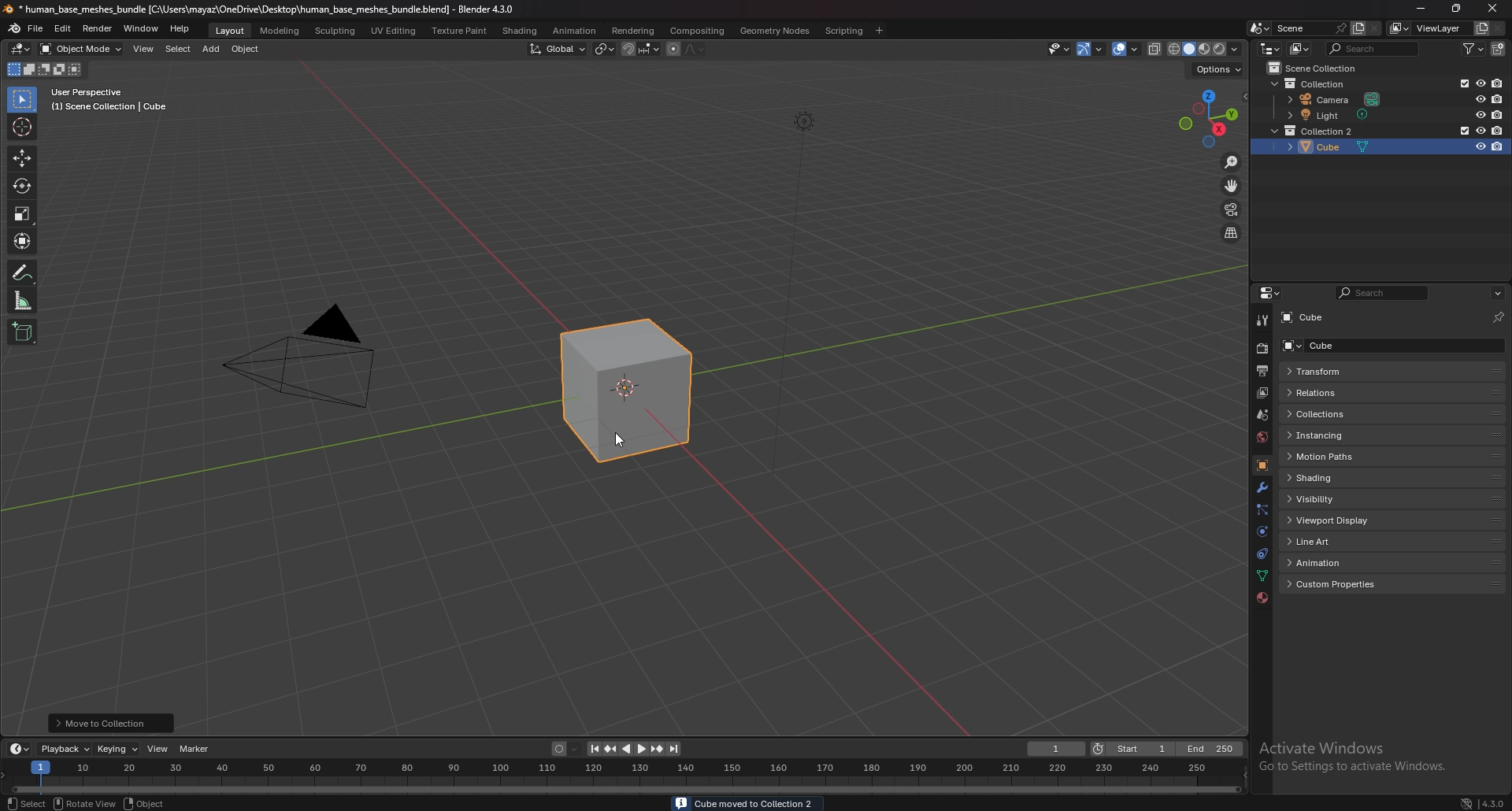 The image size is (1512, 811). I want to click on browse scene, so click(1260, 28).